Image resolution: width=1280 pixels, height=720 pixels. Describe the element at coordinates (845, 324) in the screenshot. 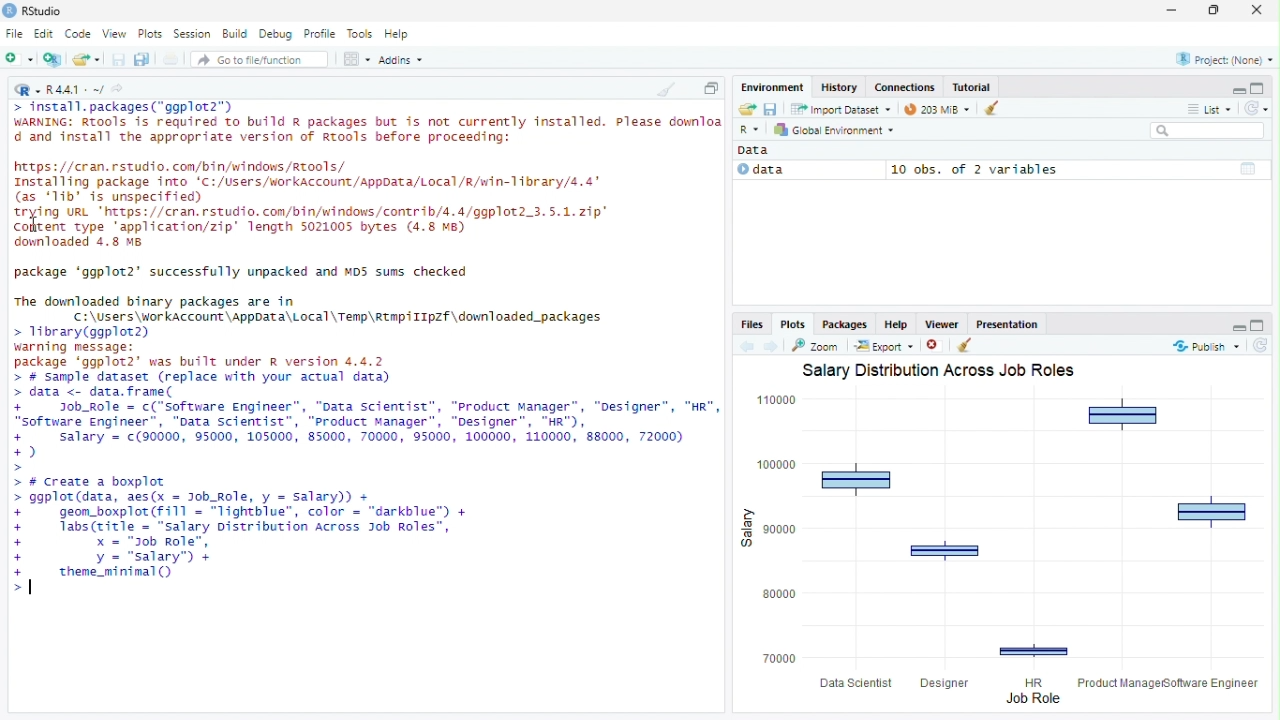

I see `Packages` at that location.